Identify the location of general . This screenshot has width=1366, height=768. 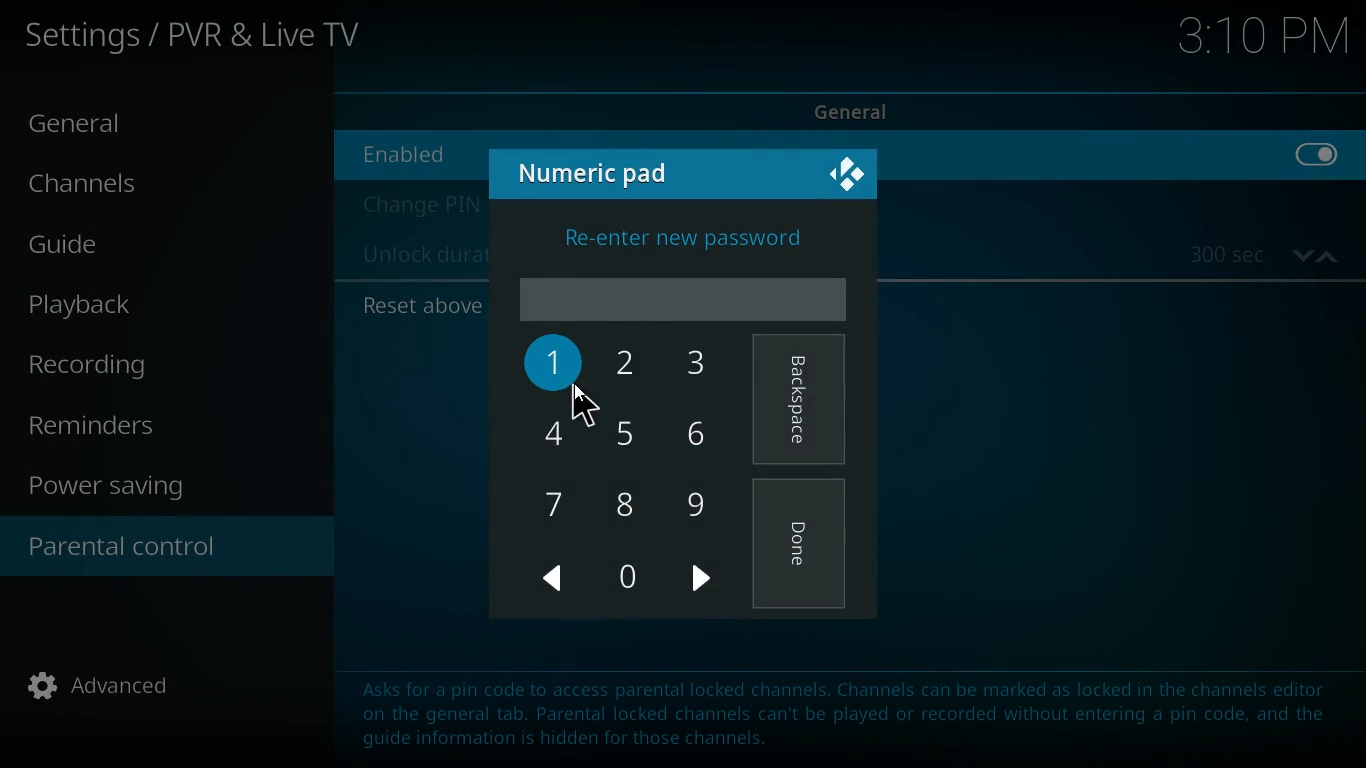
(94, 125).